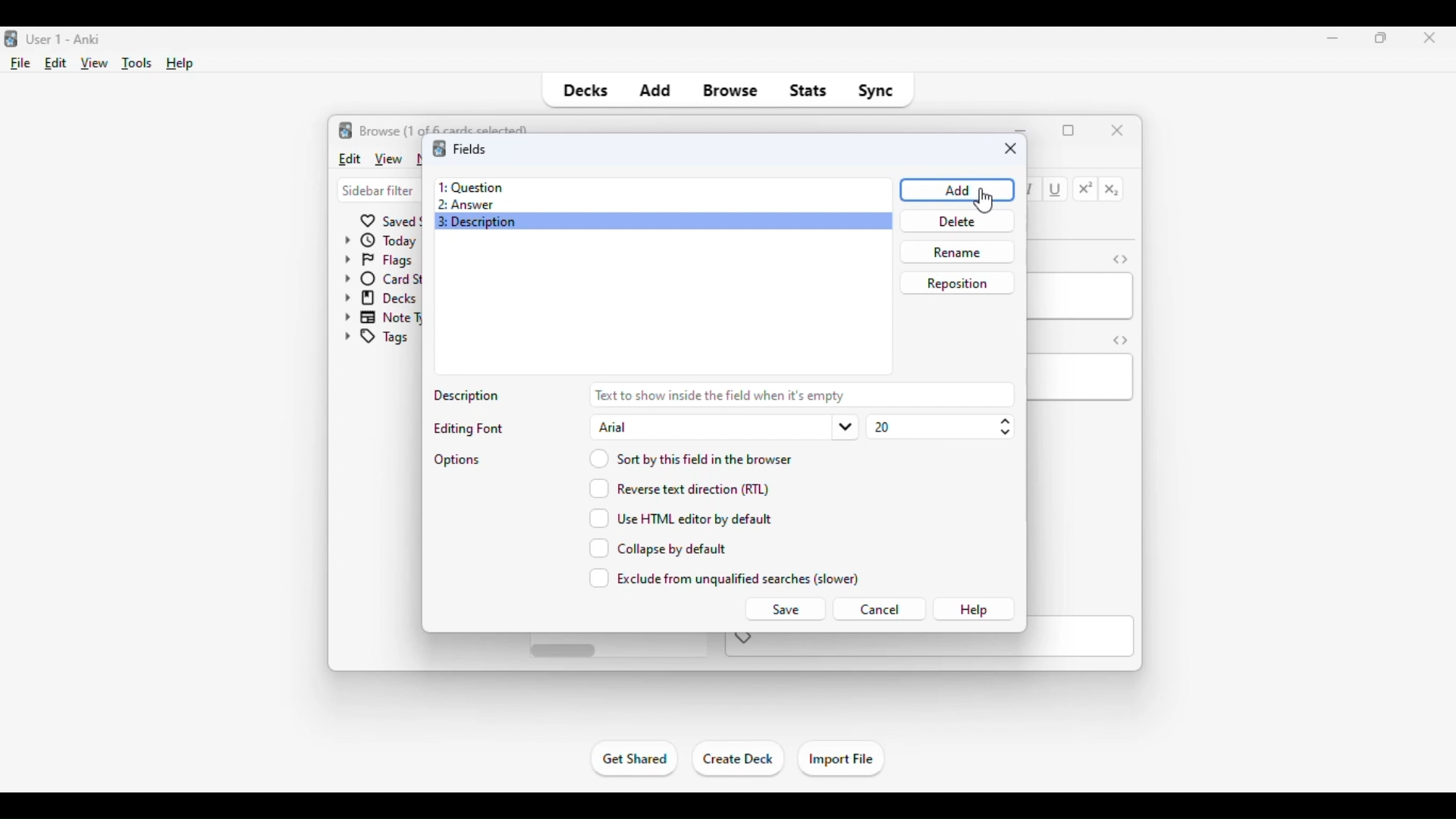  What do you see at coordinates (654, 91) in the screenshot?
I see `add` at bounding box center [654, 91].